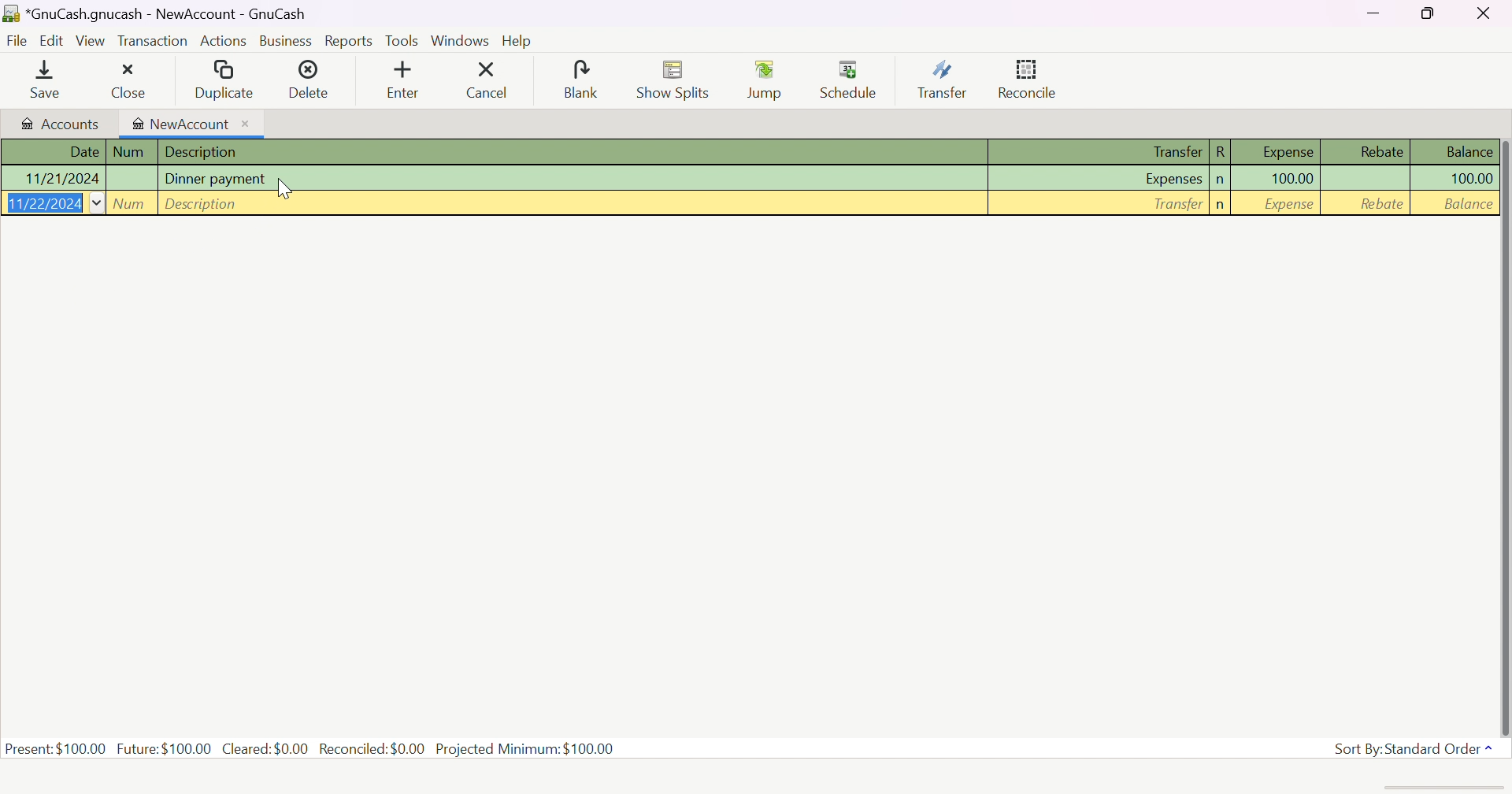 Image resolution: width=1512 pixels, height=794 pixels. Describe the element at coordinates (309, 80) in the screenshot. I see `Delete` at that location.